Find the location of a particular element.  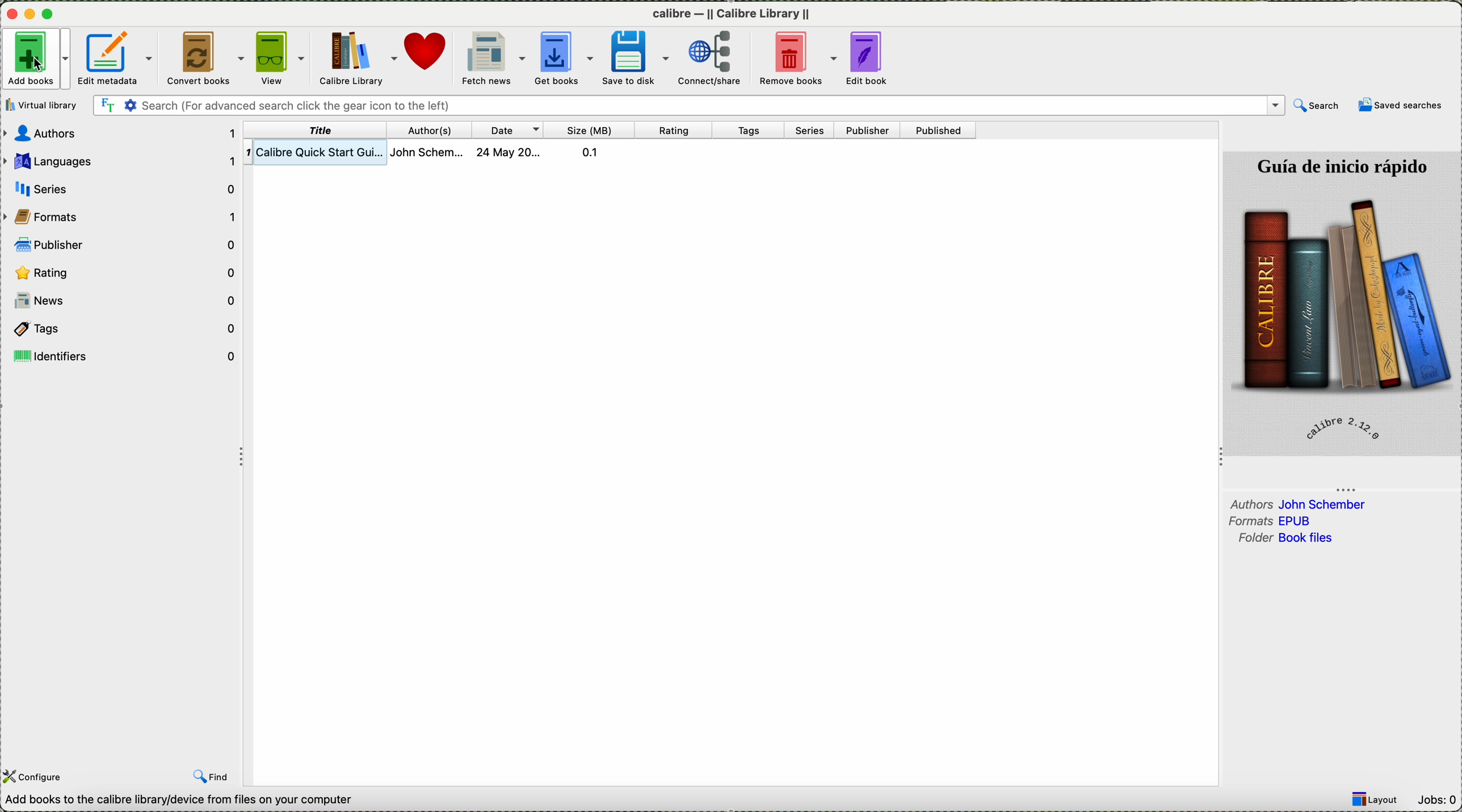

folder is located at coordinates (1288, 539).